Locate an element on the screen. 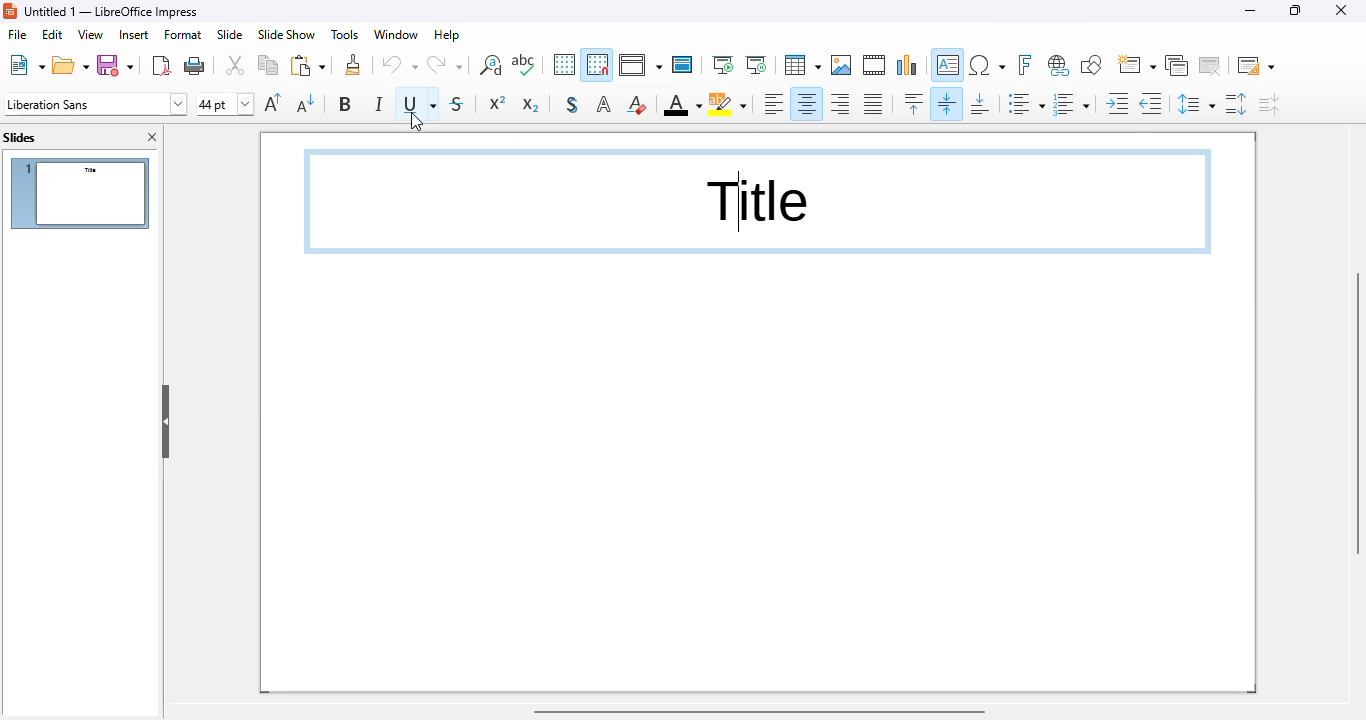 This screenshot has width=1366, height=720. cursor is located at coordinates (417, 123).